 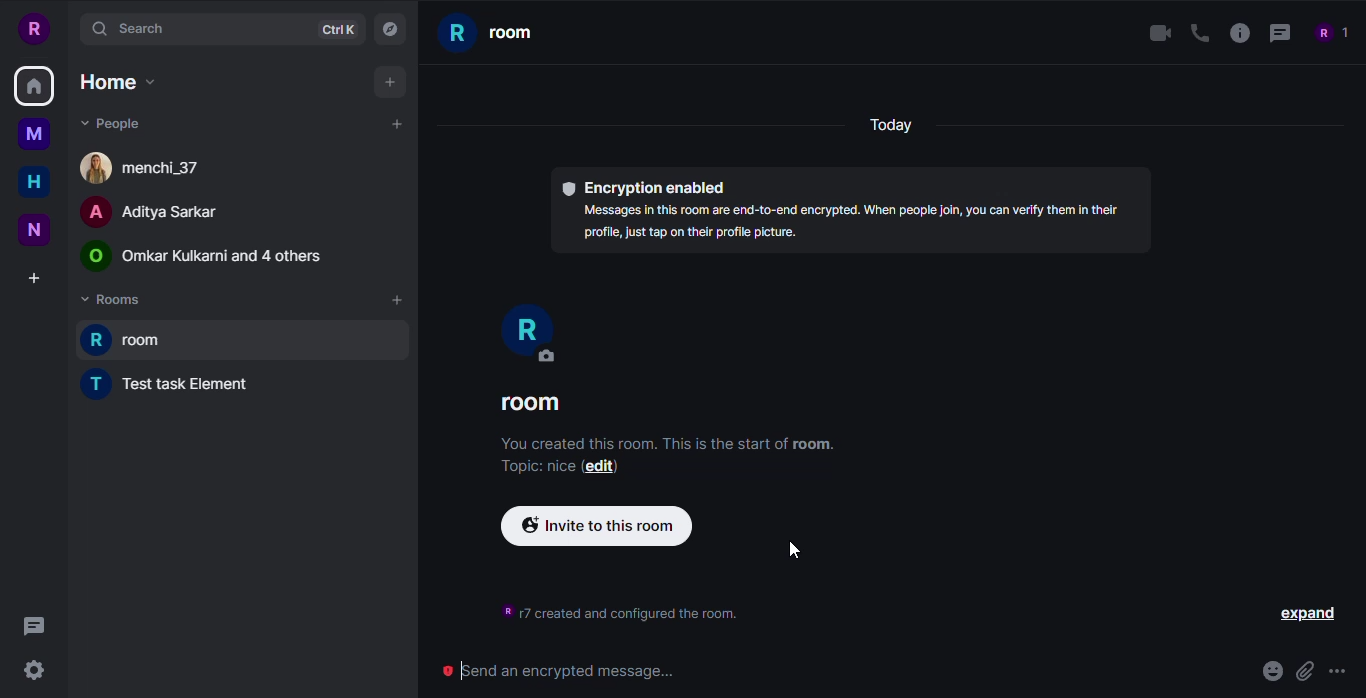 What do you see at coordinates (115, 81) in the screenshot?
I see `home` at bounding box center [115, 81].